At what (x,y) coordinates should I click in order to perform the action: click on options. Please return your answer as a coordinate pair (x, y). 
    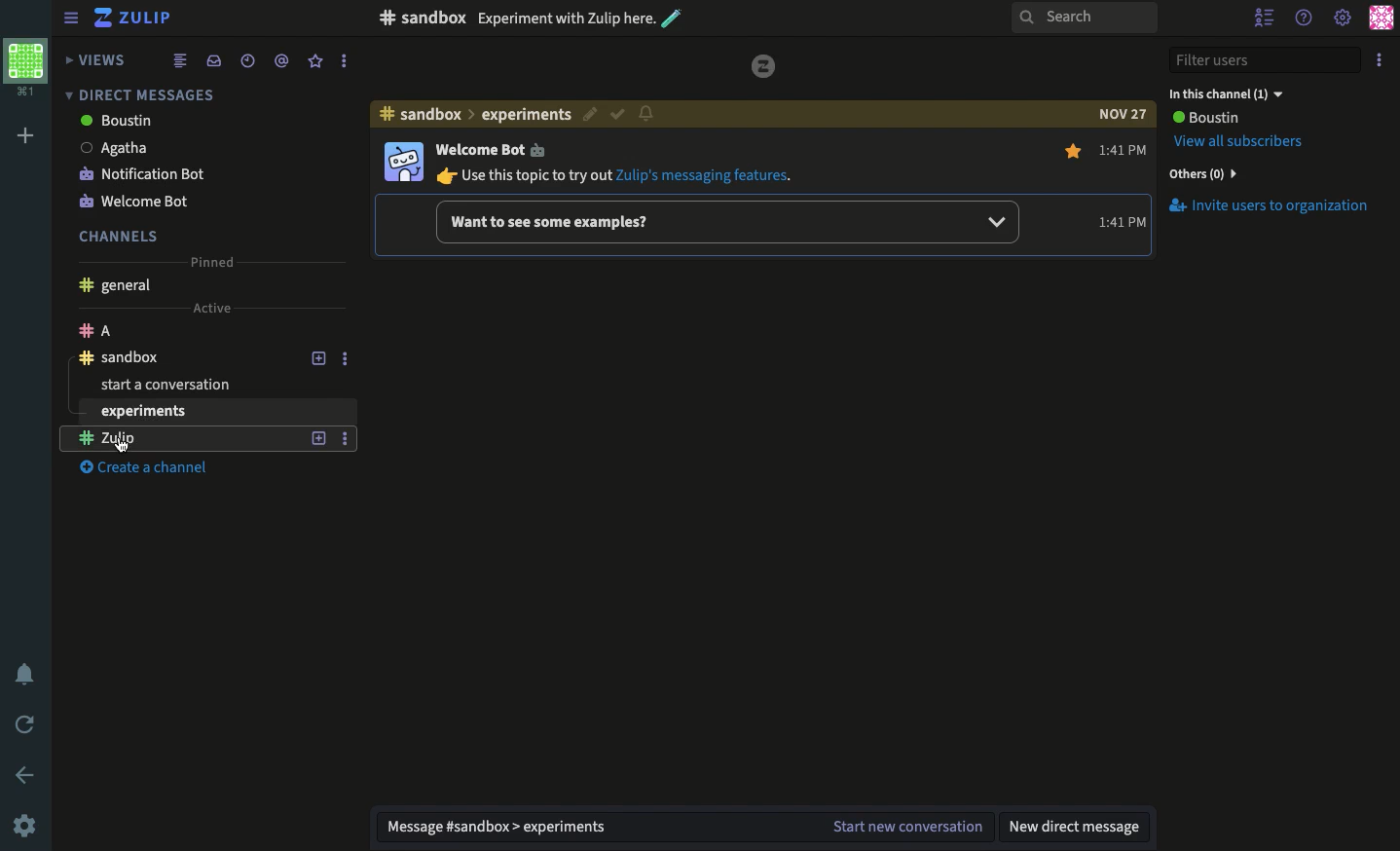
    Looking at the image, I should click on (345, 441).